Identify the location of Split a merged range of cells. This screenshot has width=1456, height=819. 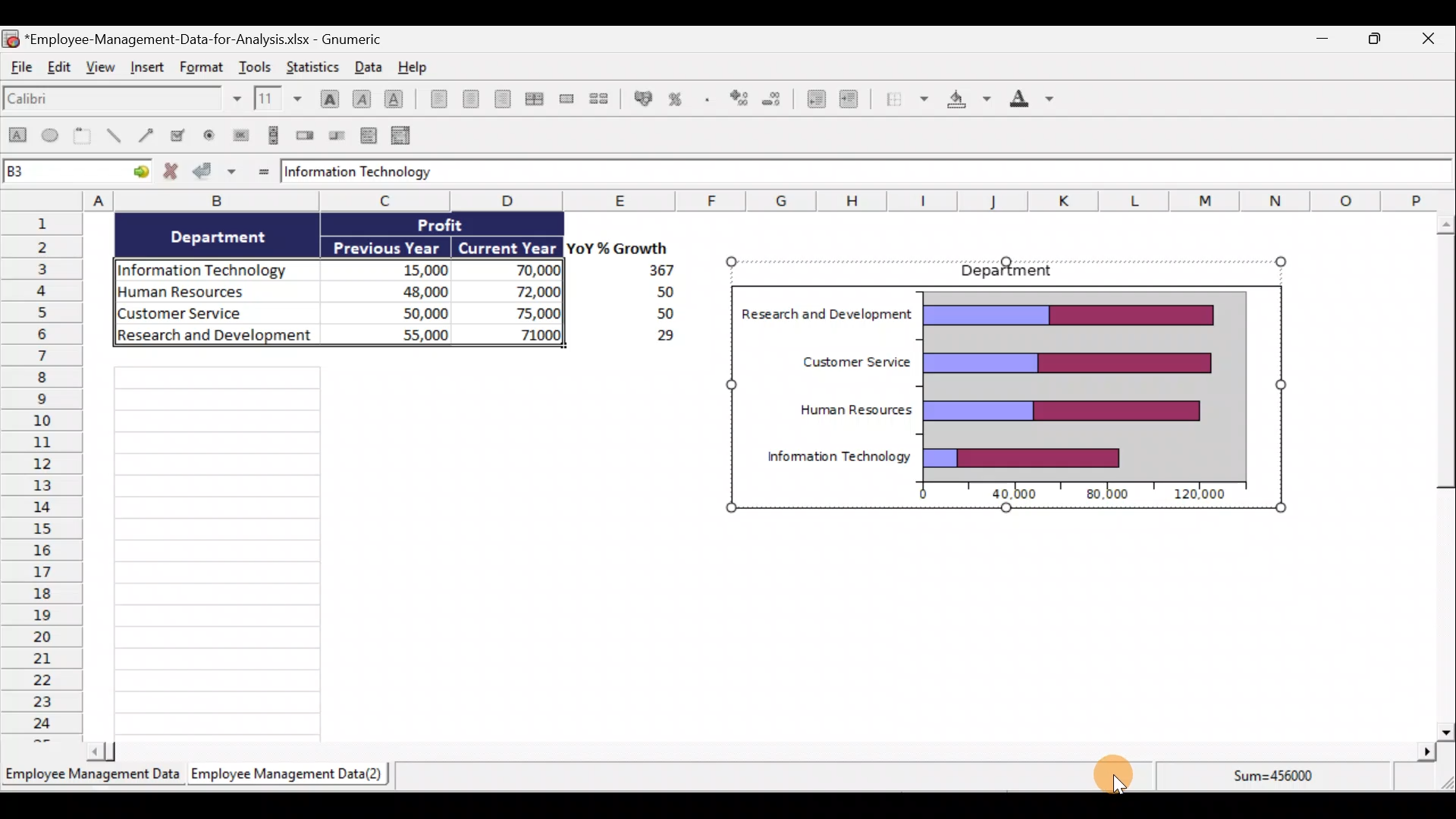
(605, 100).